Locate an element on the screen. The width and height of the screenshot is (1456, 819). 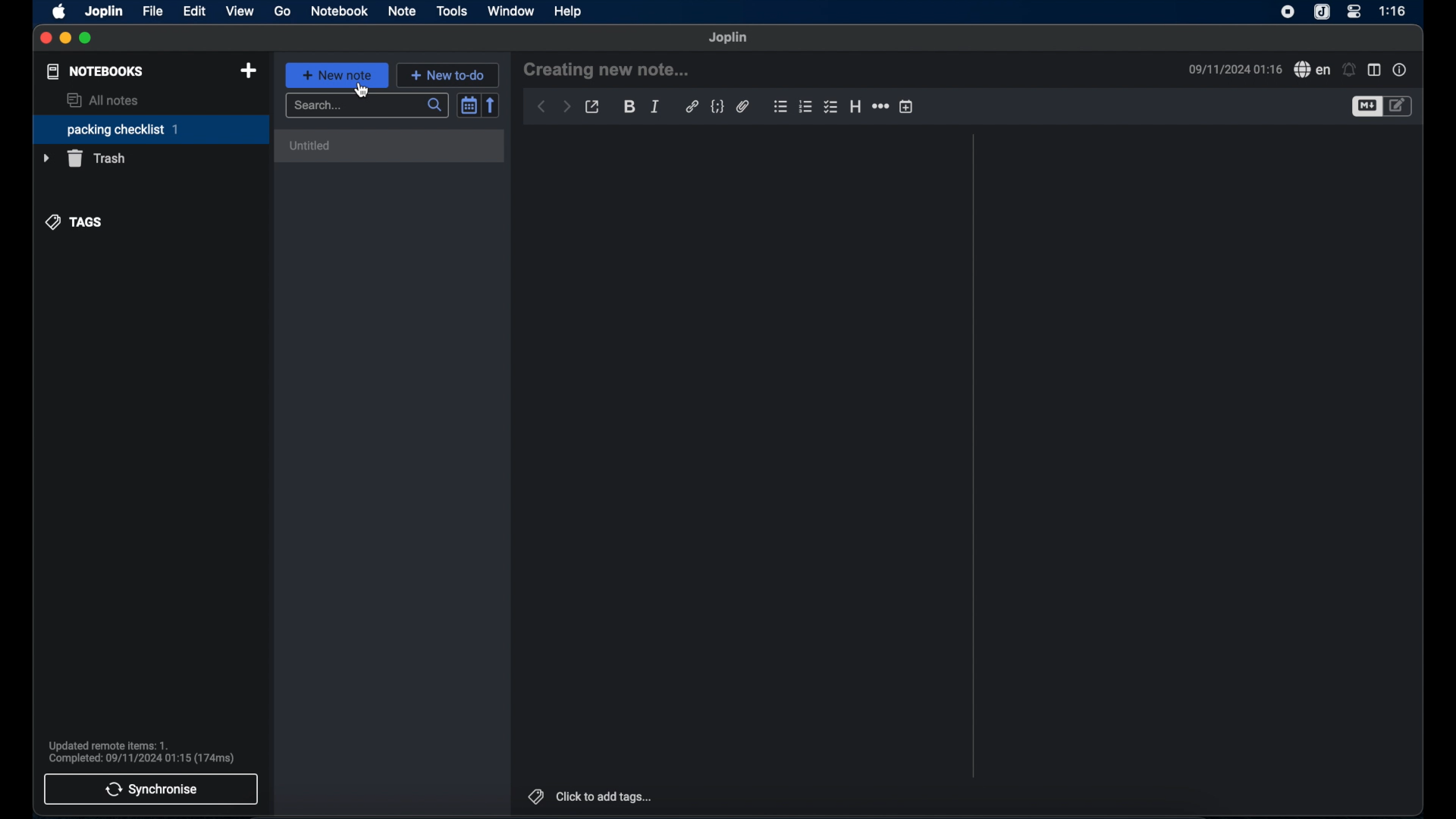
toggle edito is located at coordinates (1399, 107).